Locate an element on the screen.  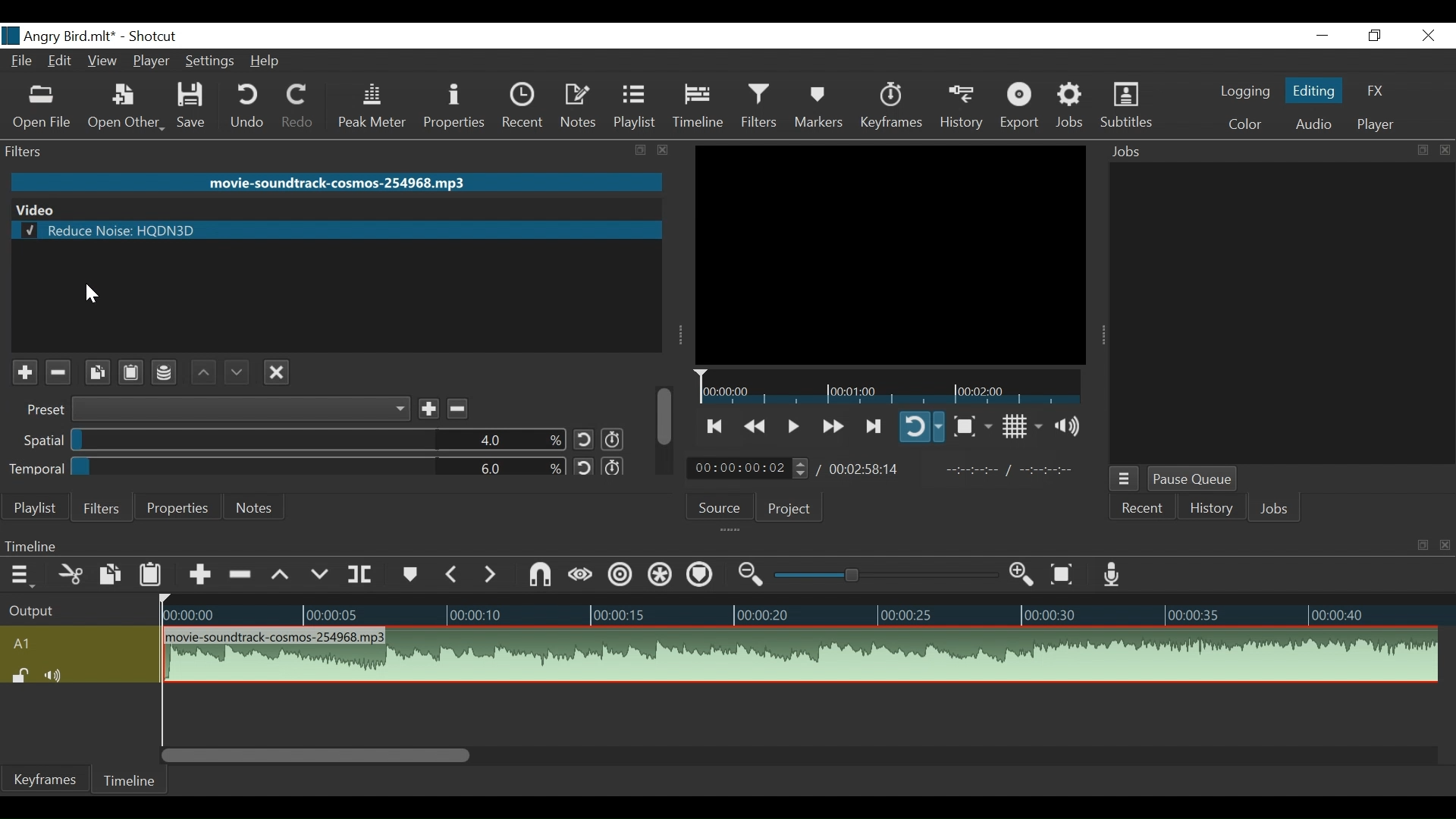
Toggle player on looping is located at coordinates (923, 428).